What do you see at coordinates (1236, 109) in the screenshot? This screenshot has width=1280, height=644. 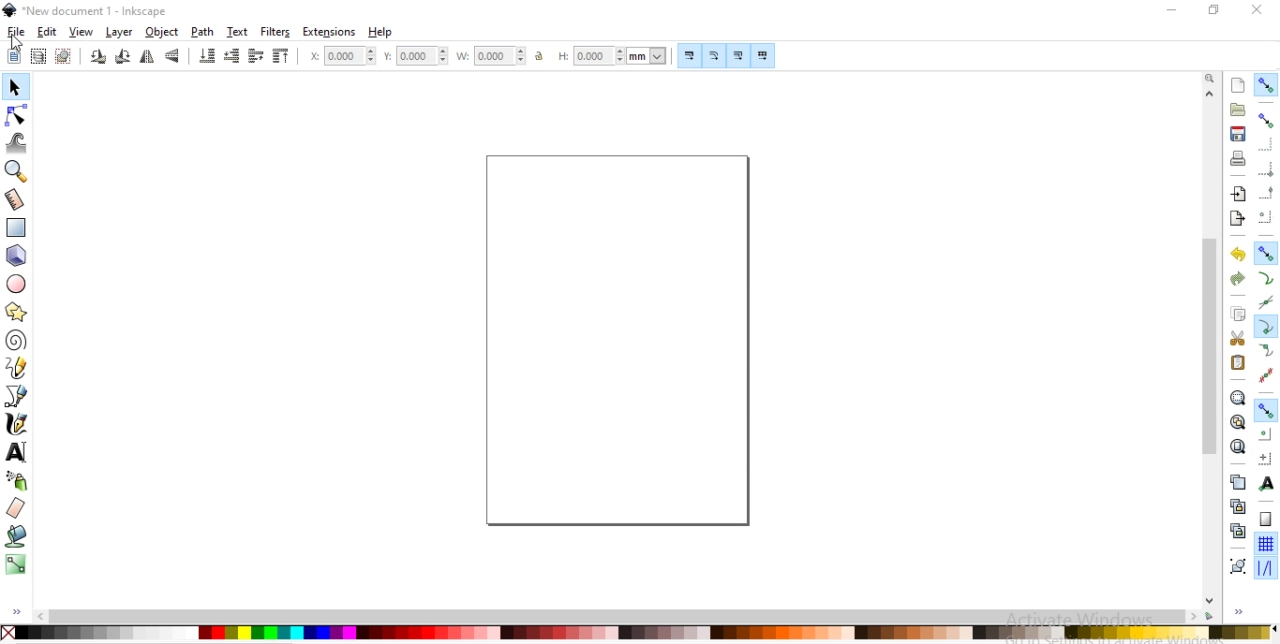 I see `open a document` at bounding box center [1236, 109].